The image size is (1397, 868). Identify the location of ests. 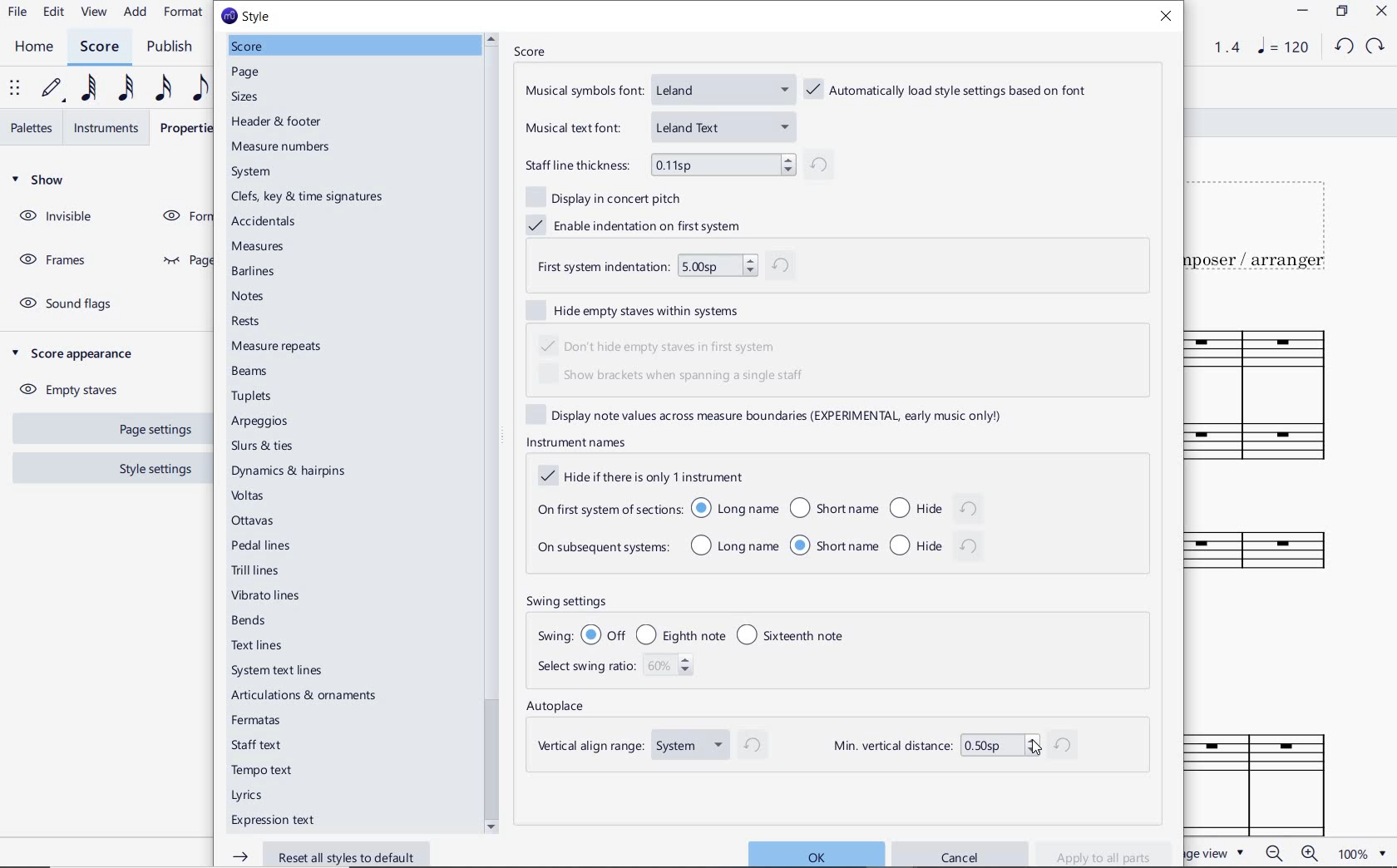
(247, 322).